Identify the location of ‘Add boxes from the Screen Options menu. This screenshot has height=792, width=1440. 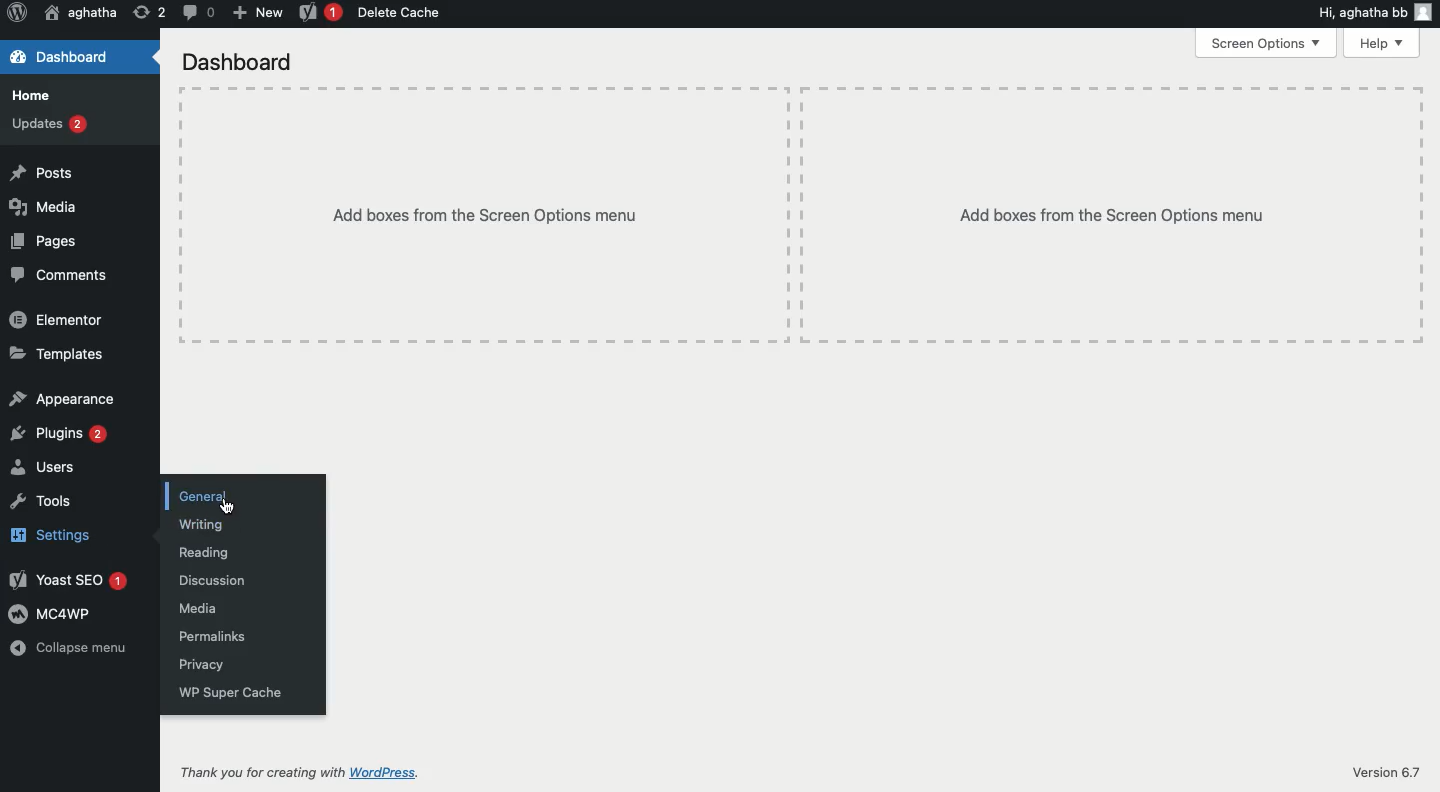
(481, 216).